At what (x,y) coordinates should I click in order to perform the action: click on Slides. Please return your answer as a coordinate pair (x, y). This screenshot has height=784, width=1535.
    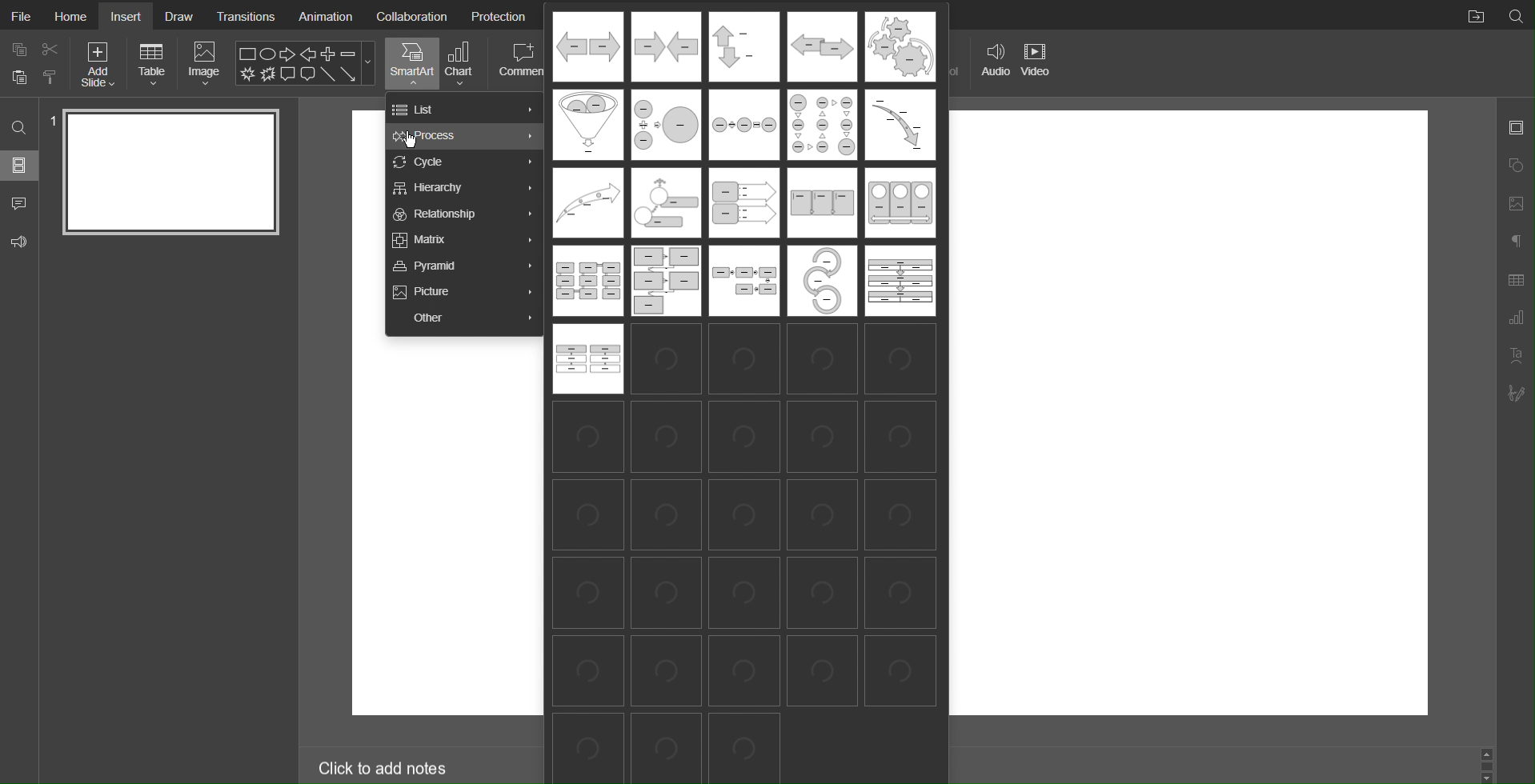
    Looking at the image, I should click on (20, 167).